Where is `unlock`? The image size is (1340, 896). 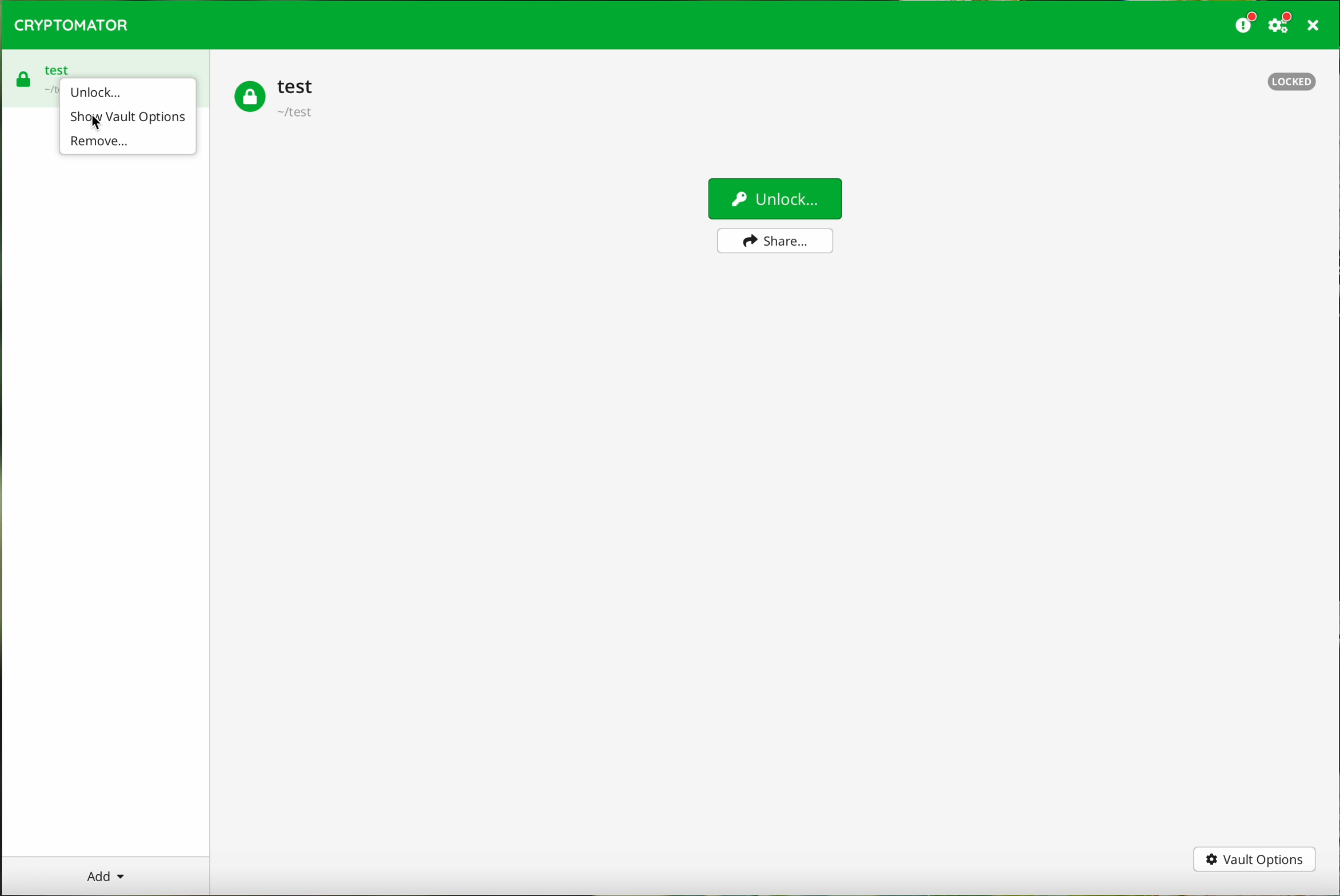 unlock is located at coordinates (97, 91).